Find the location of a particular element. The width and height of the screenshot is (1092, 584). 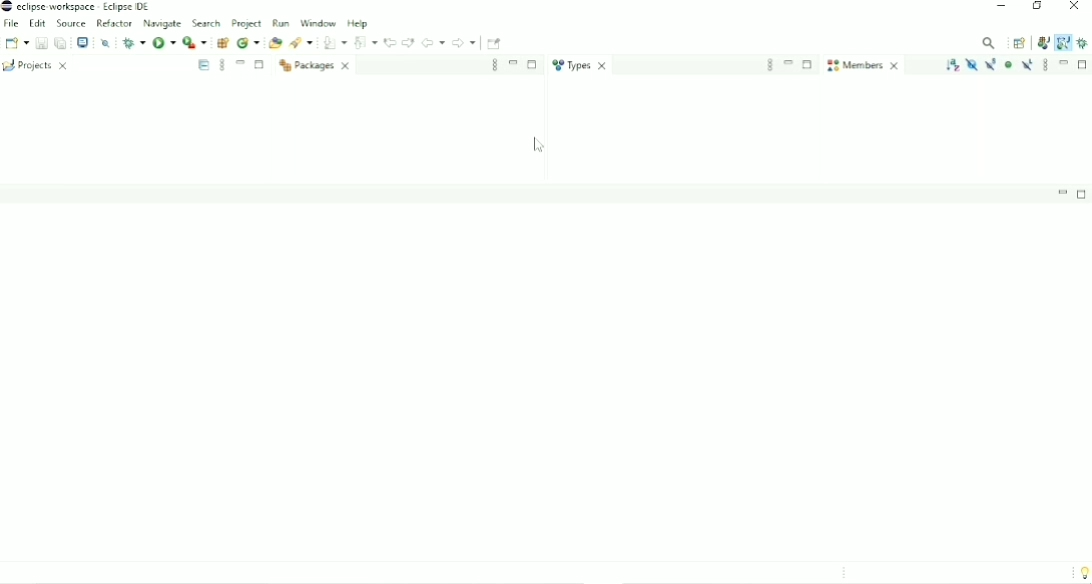

Types is located at coordinates (581, 65).